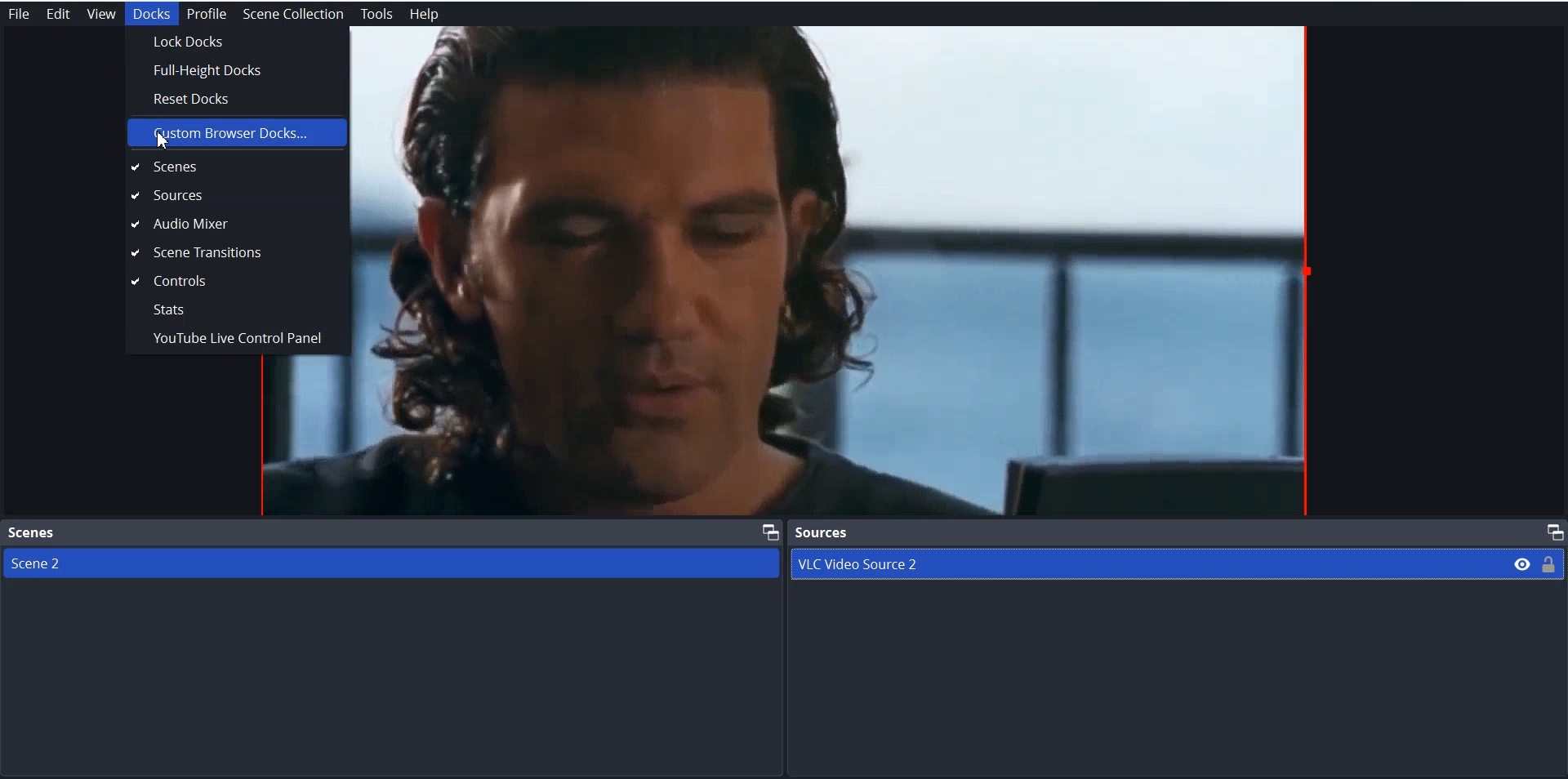 The width and height of the screenshot is (1568, 779). I want to click on Maximize, so click(1552, 532).